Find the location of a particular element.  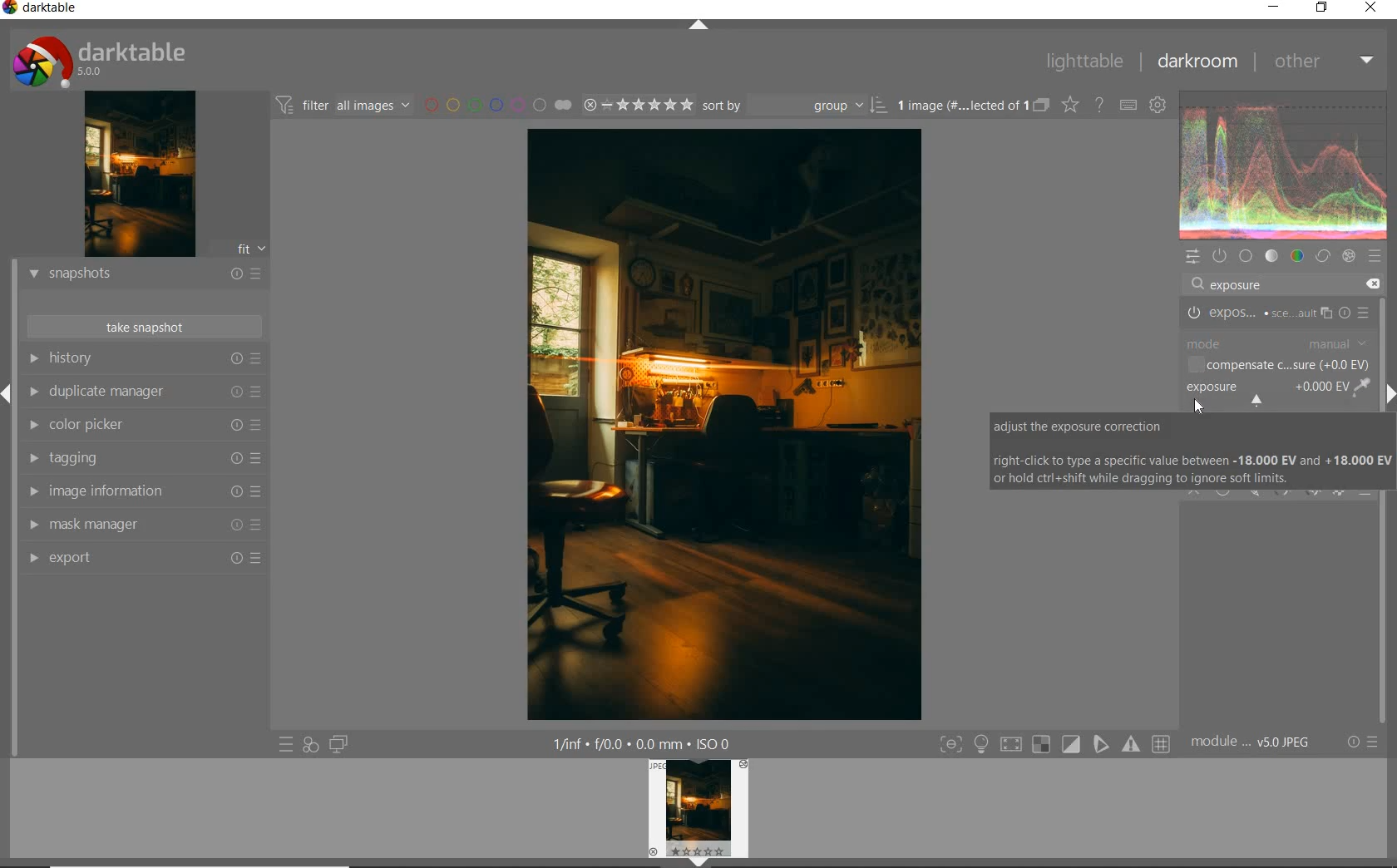

cursor is located at coordinates (1198, 405).